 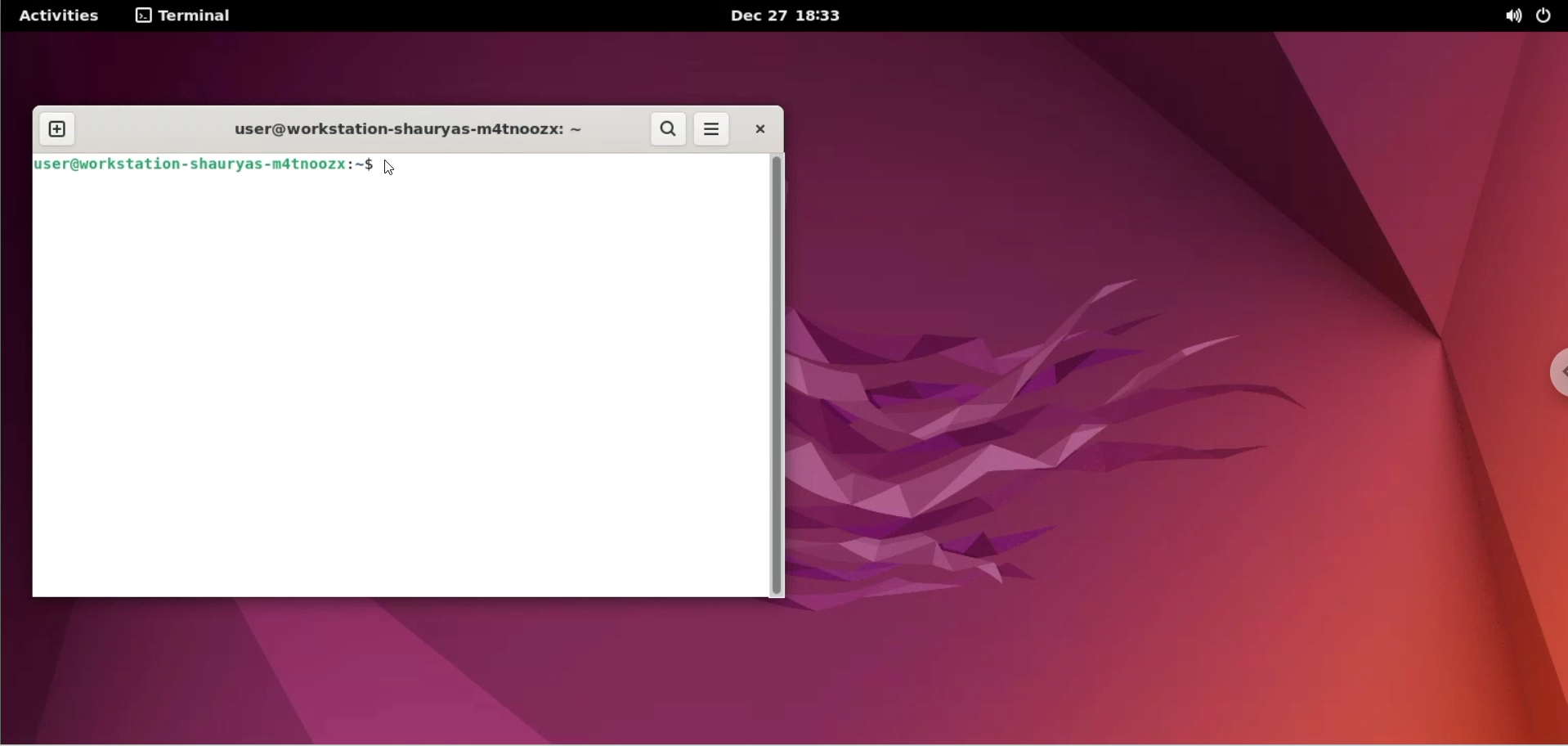 I want to click on user@workstation-shauryas-m4tnoozx:~, so click(x=398, y=129).